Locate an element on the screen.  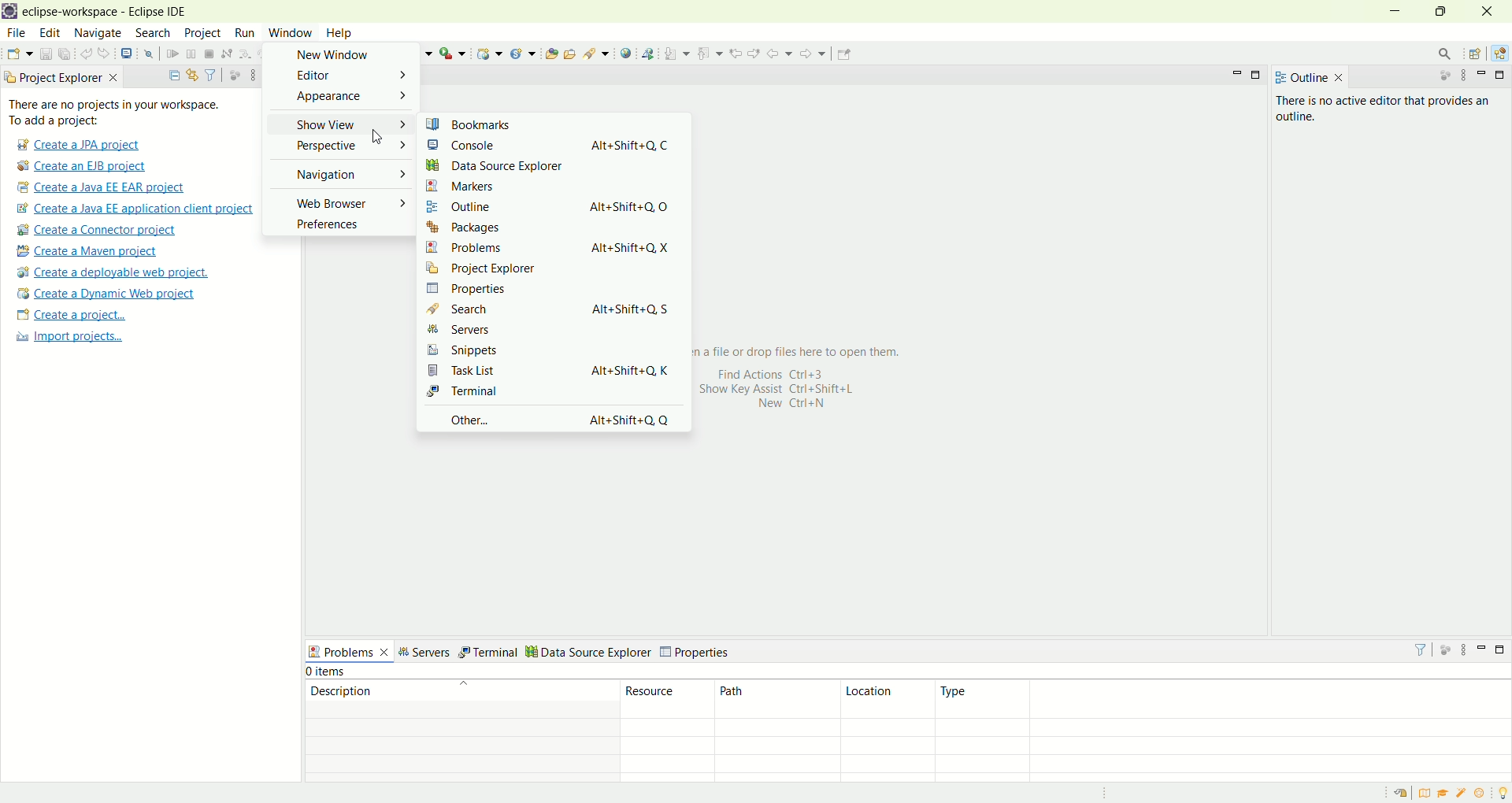
minimize is located at coordinates (1235, 75).